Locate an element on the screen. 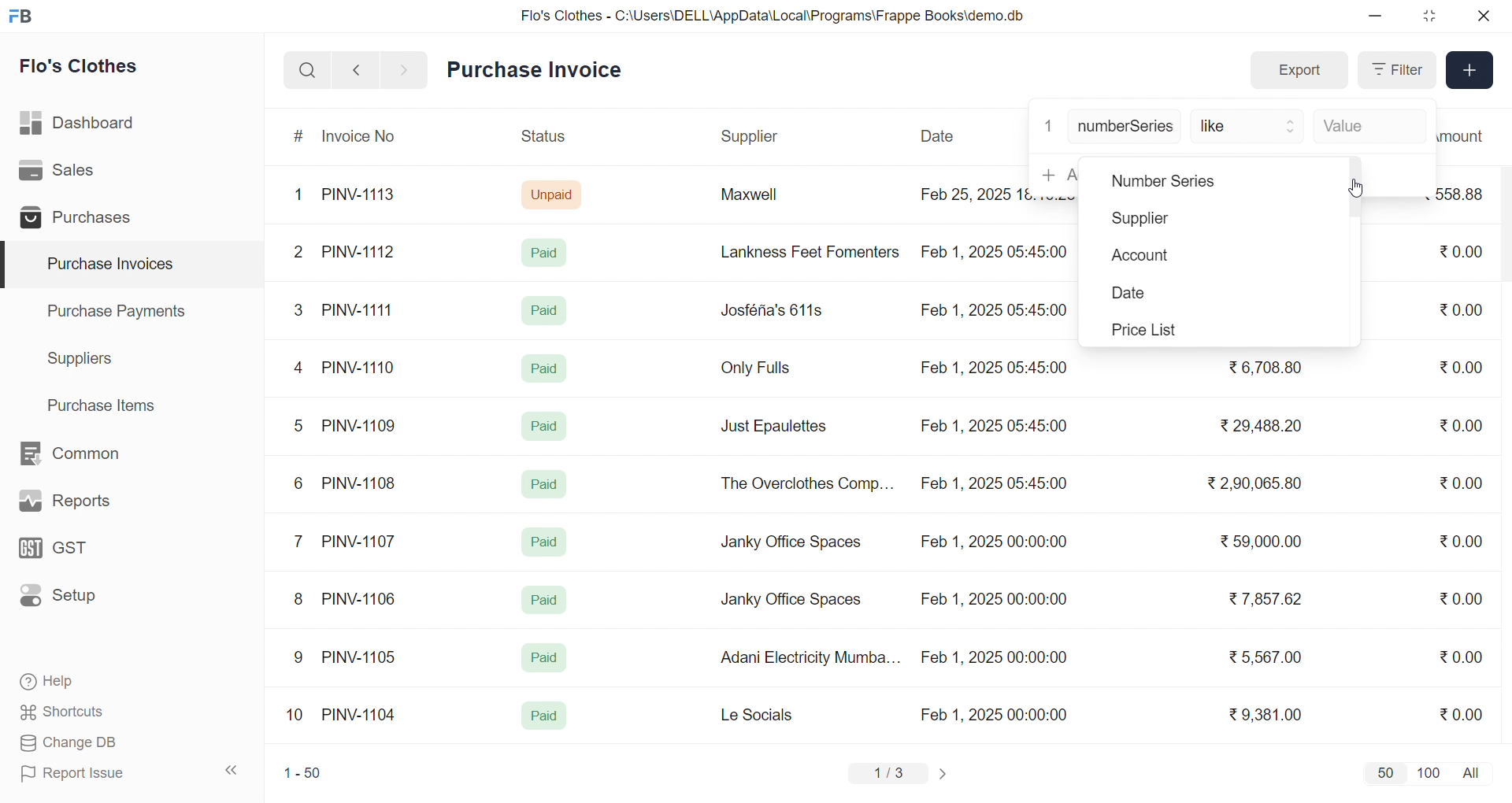  3 is located at coordinates (298, 309).